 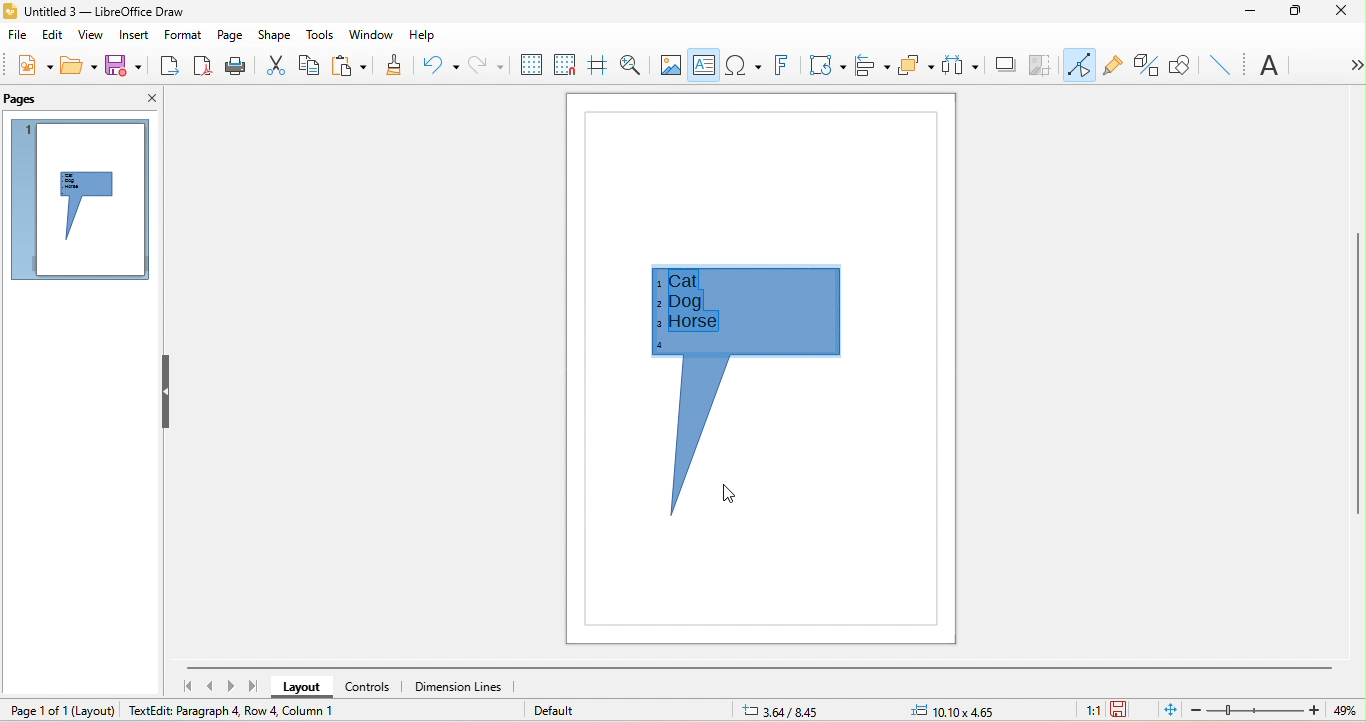 What do you see at coordinates (762, 666) in the screenshot?
I see `horizontal scroll bar` at bounding box center [762, 666].